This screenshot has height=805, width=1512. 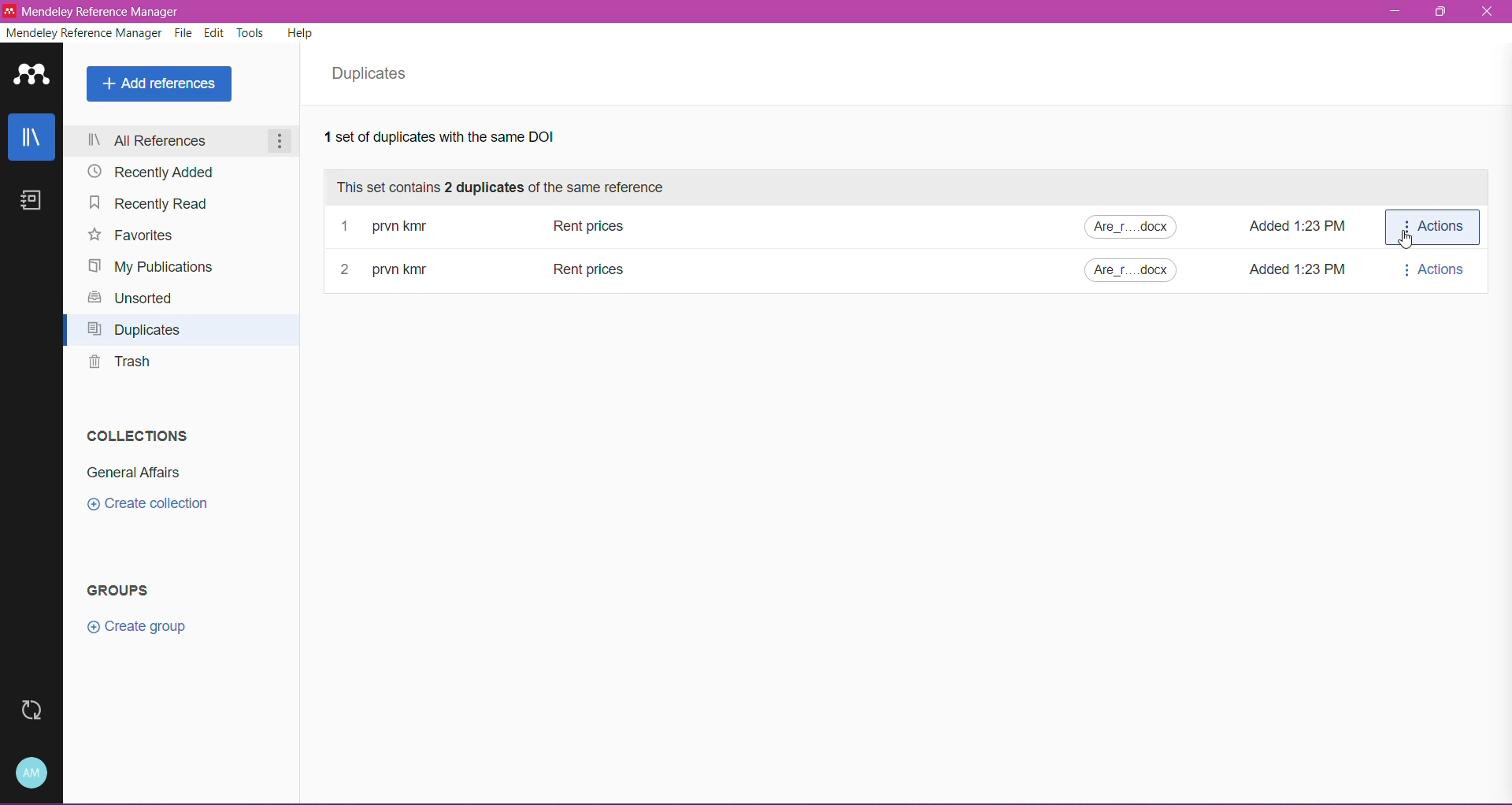 What do you see at coordinates (609, 269) in the screenshot?
I see `Duplicate item title` at bounding box center [609, 269].